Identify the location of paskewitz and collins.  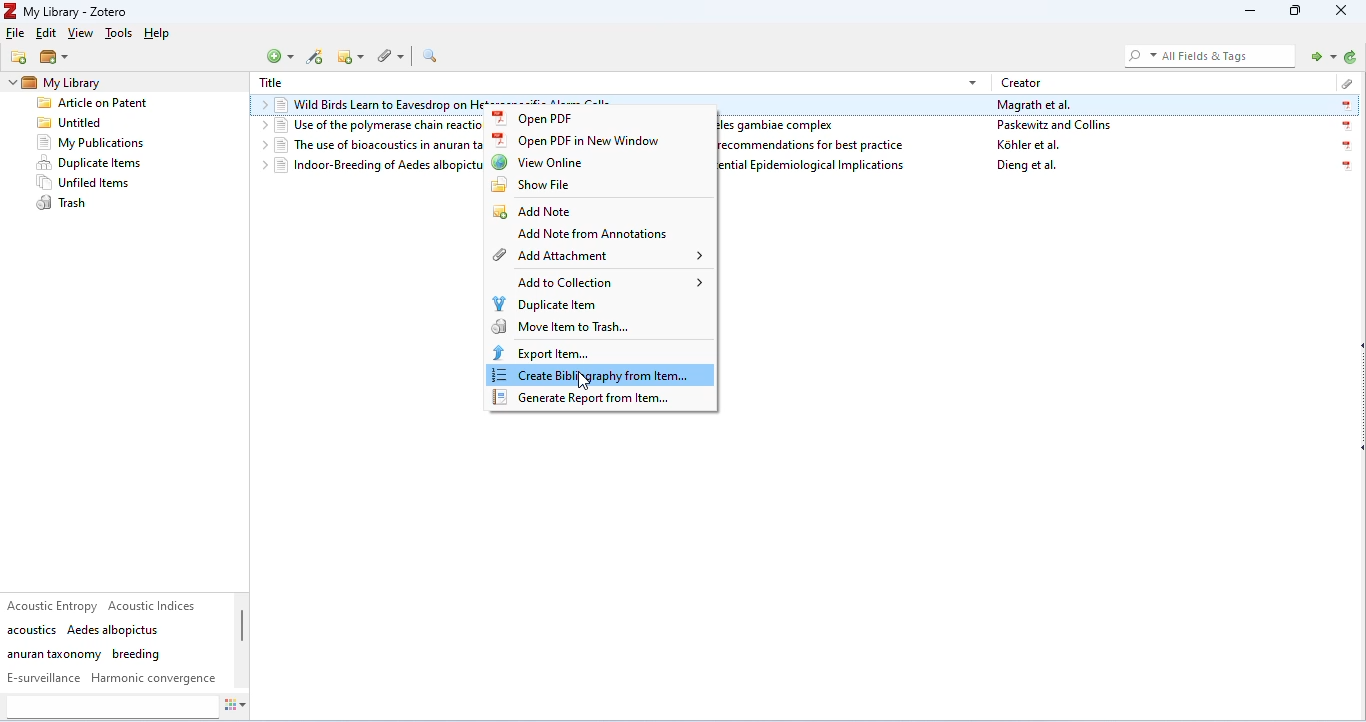
(1060, 126).